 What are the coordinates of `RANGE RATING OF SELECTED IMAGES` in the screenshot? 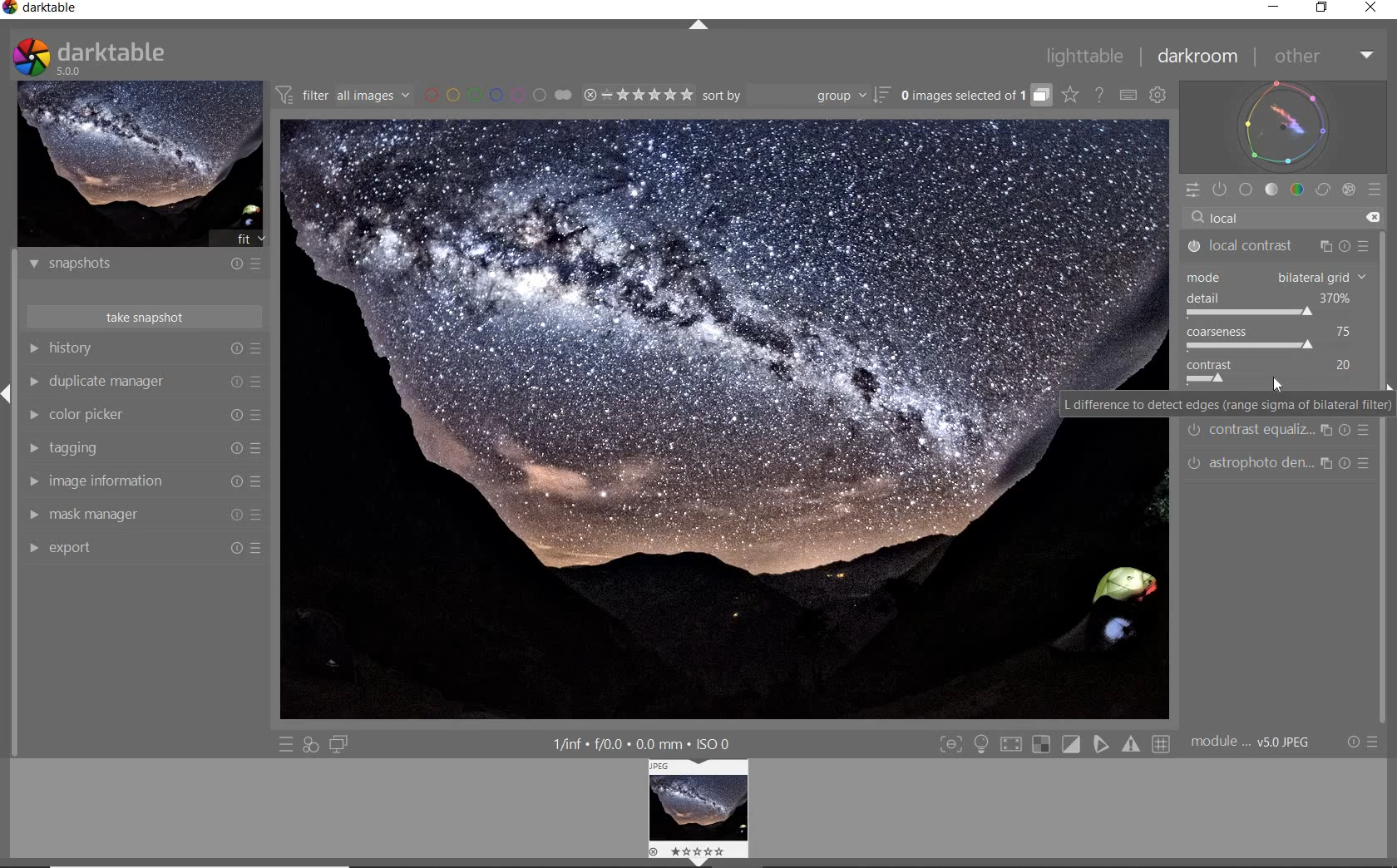 It's located at (637, 96).